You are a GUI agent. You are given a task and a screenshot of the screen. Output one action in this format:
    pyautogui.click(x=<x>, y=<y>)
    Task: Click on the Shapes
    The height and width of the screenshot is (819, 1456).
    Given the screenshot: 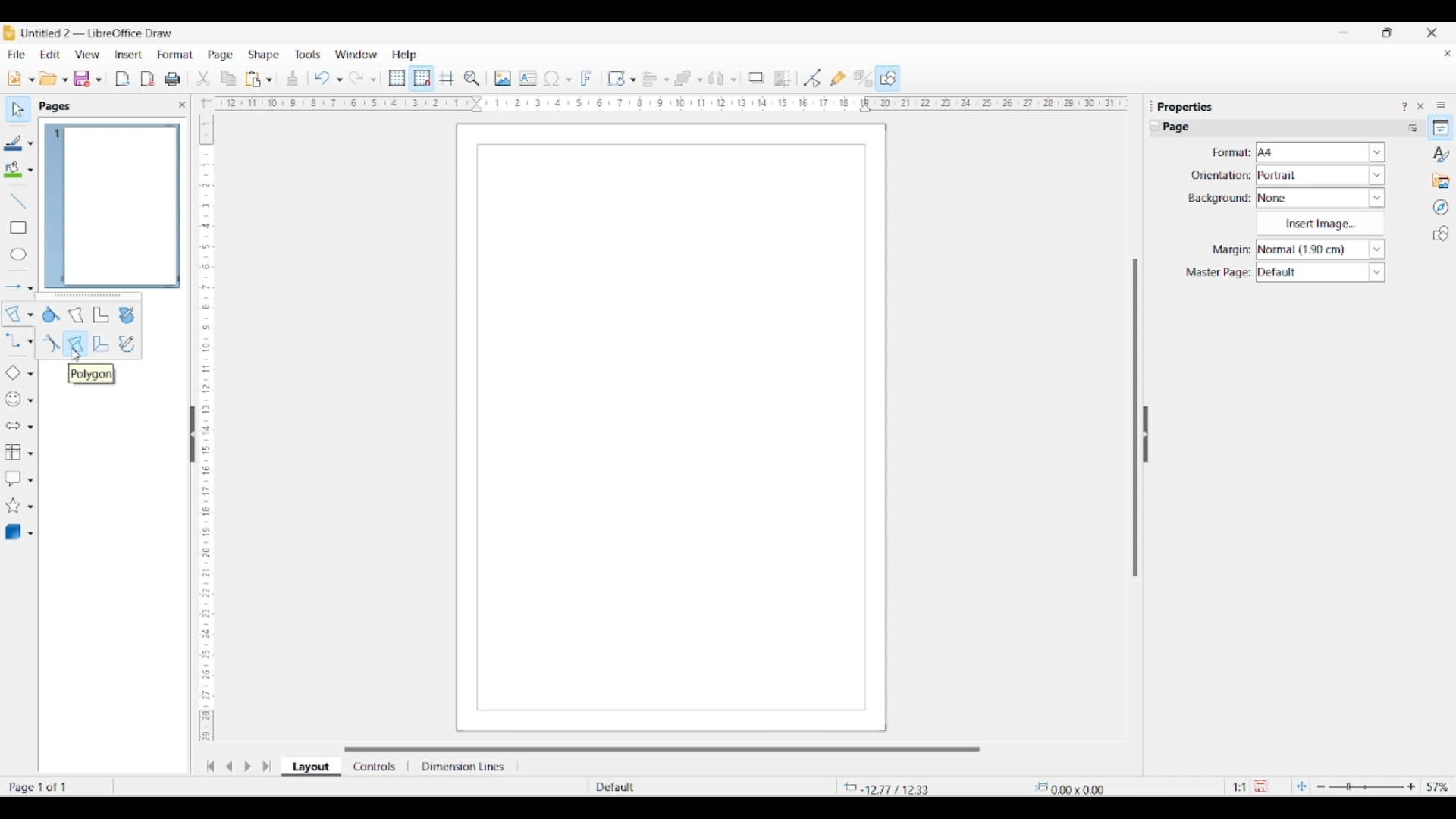 What is the action you would take?
    pyautogui.click(x=1441, y=234)
    